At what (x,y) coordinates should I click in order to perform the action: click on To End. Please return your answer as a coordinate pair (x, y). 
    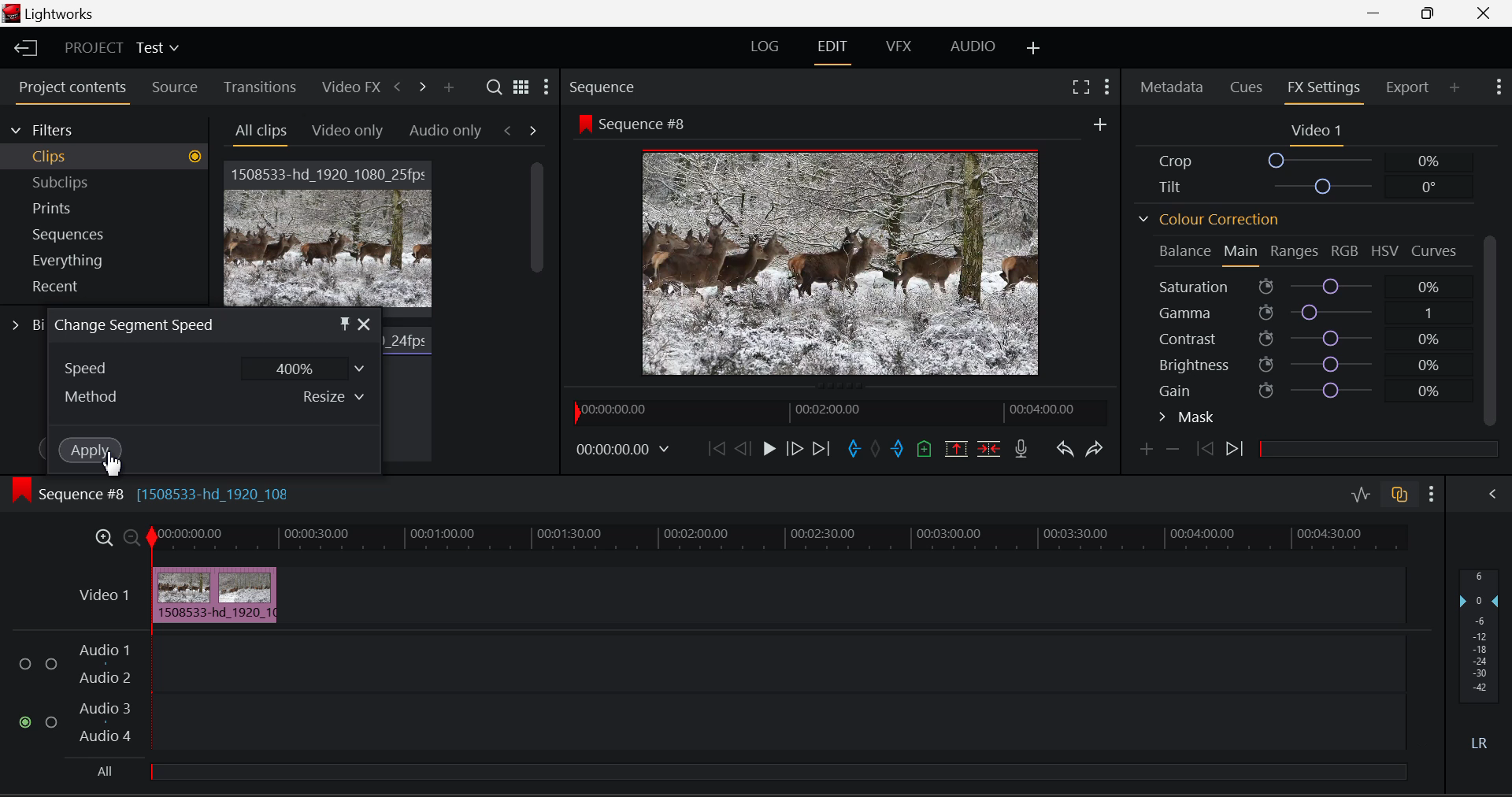
    Looking at the image, I should click on (821, 450).